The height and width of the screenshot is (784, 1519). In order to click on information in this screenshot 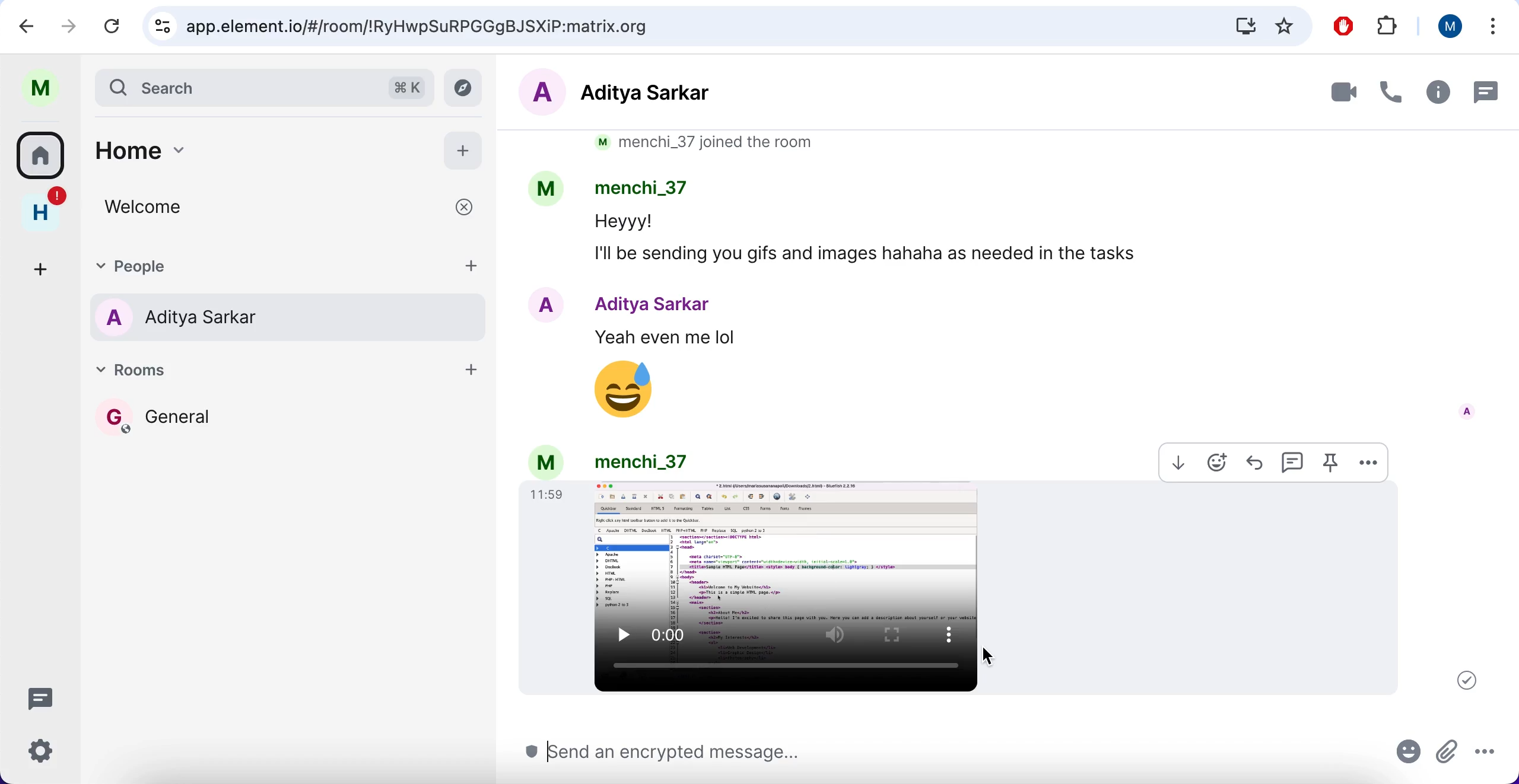, I will do `click(1437, 92)`.